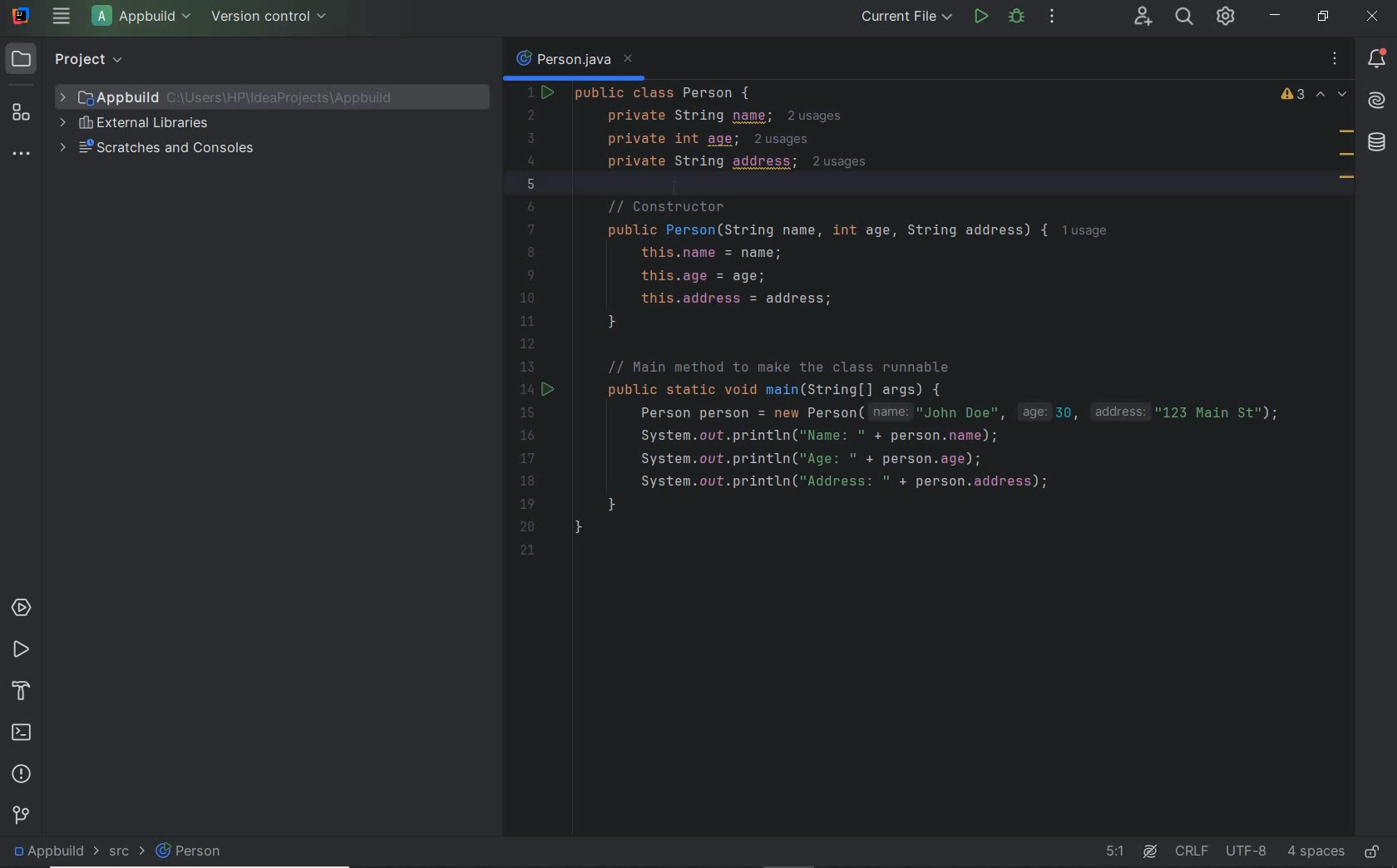  Describe the element at coordinates (1315, 851) in the screenshot. I see `indent` at that location.